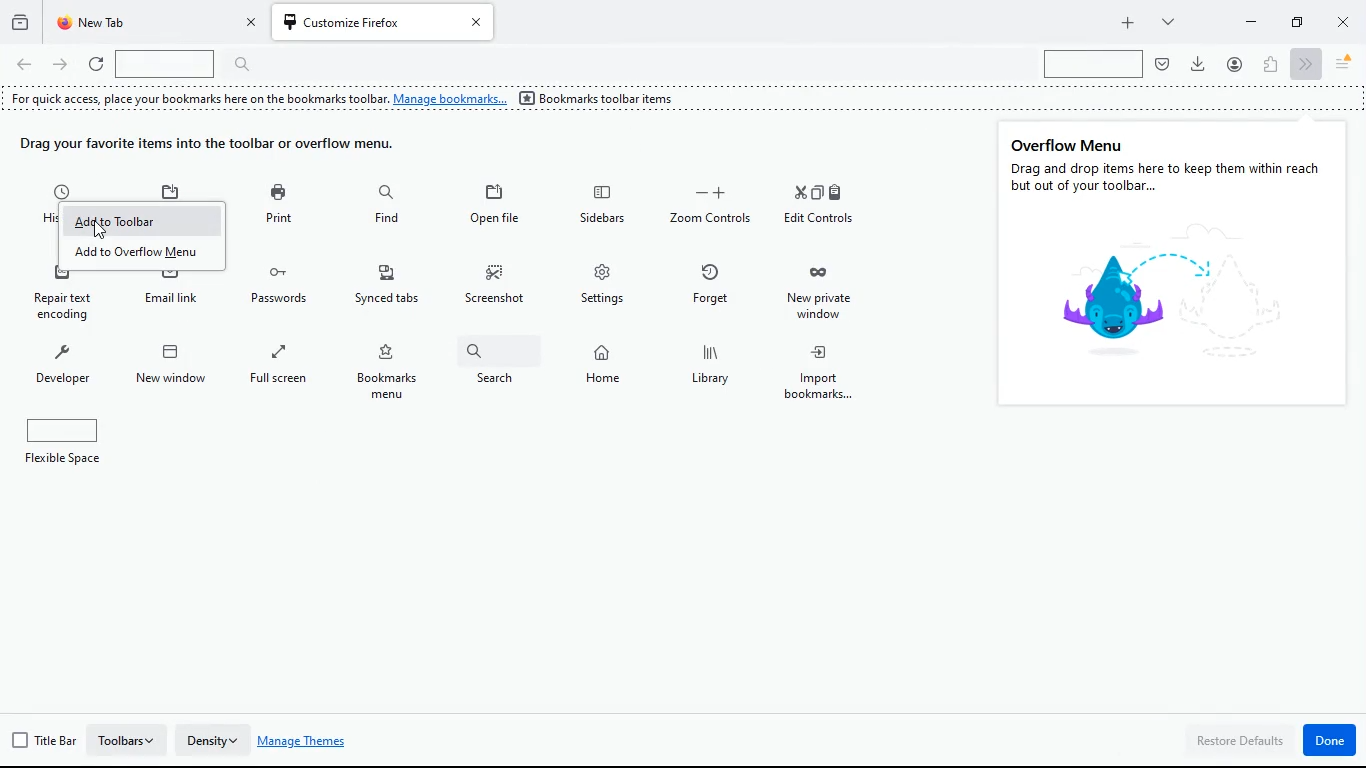 This screenshot has height=768, width=1366. I want to click on density, so click(214, 736).